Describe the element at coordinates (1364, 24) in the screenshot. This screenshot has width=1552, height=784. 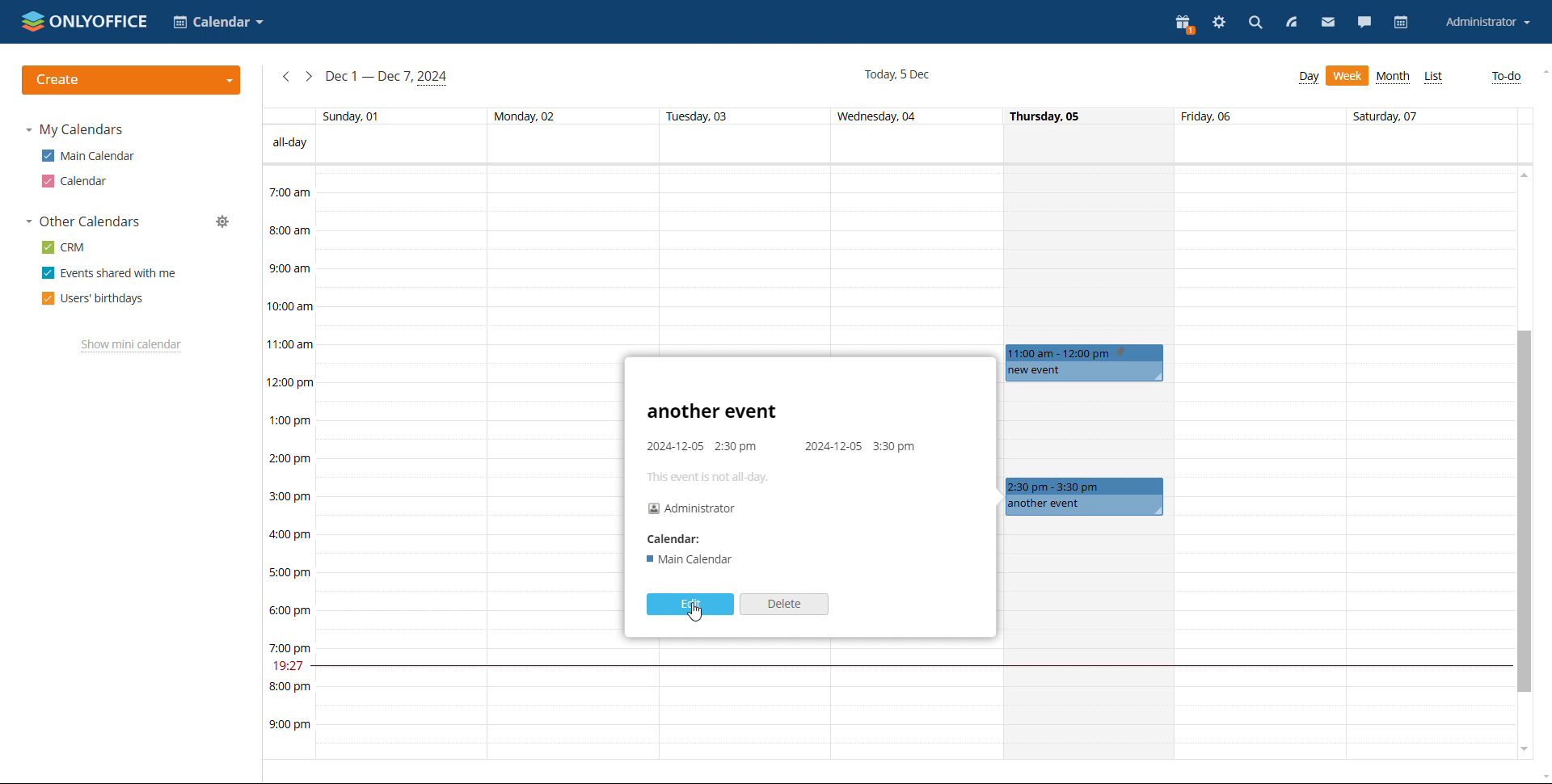
I see `chat` at that location.